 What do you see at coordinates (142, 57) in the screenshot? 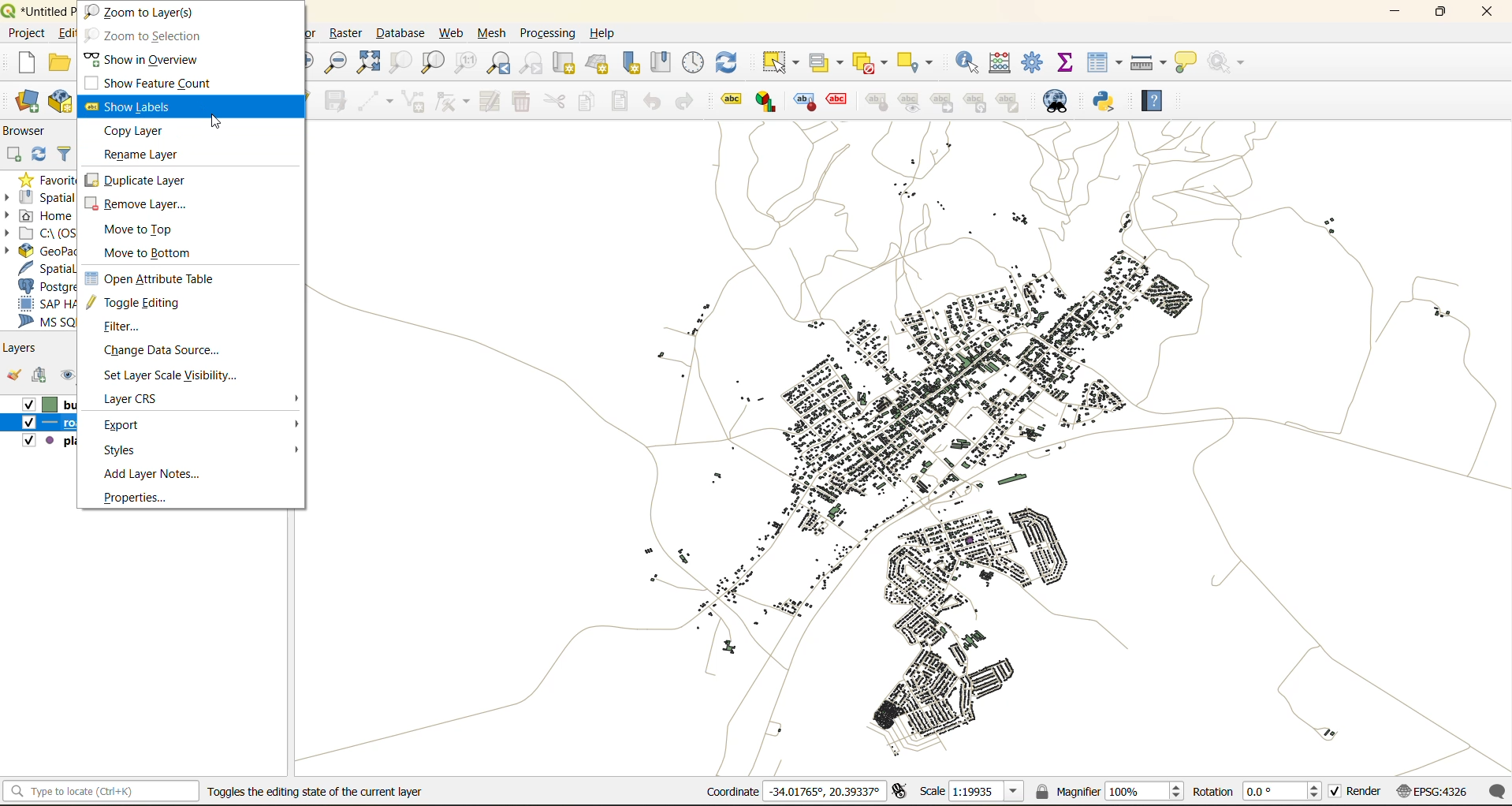
I see `show in overview` at bounding box center [142, 57].